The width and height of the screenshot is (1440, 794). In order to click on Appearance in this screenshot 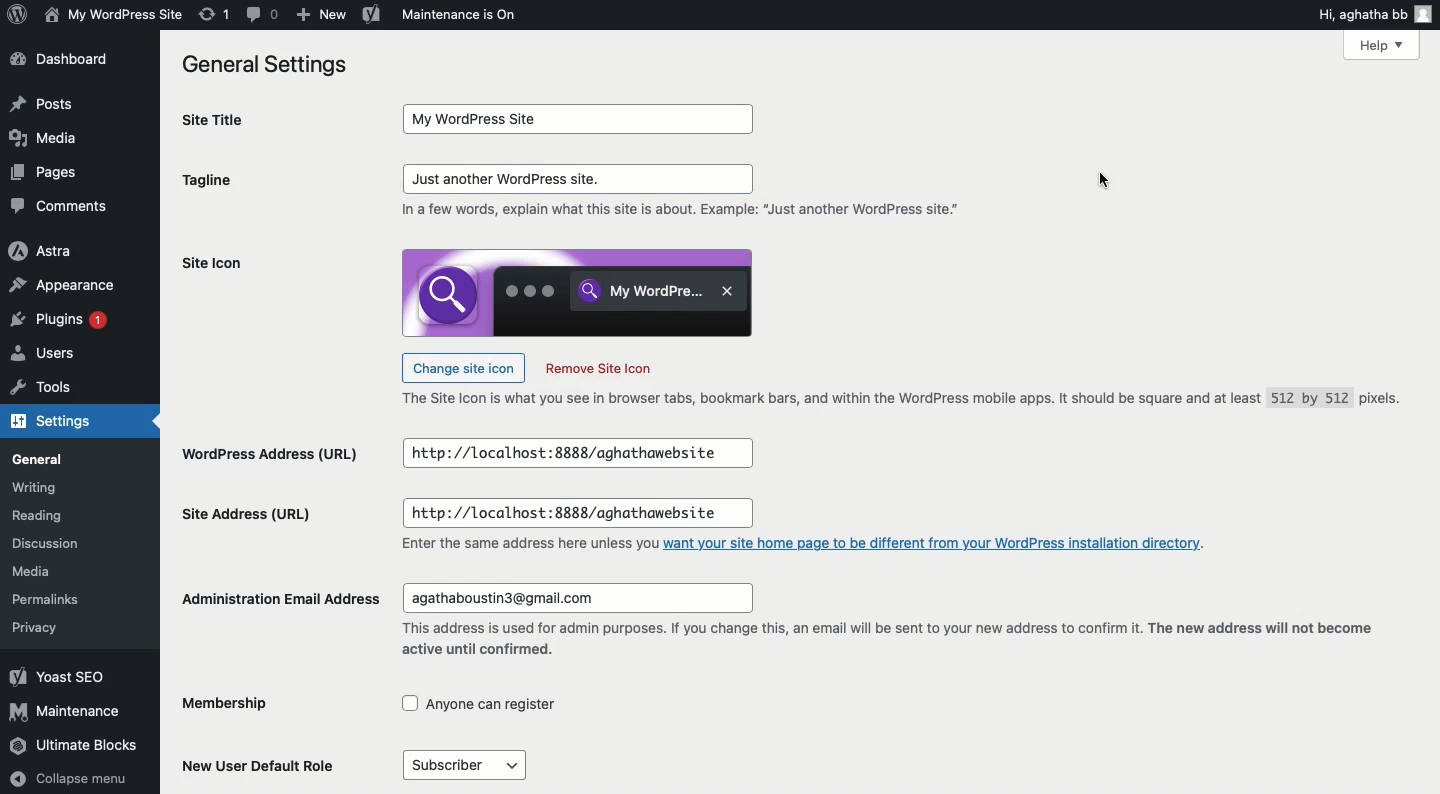, I will do `click(66, 287)`.